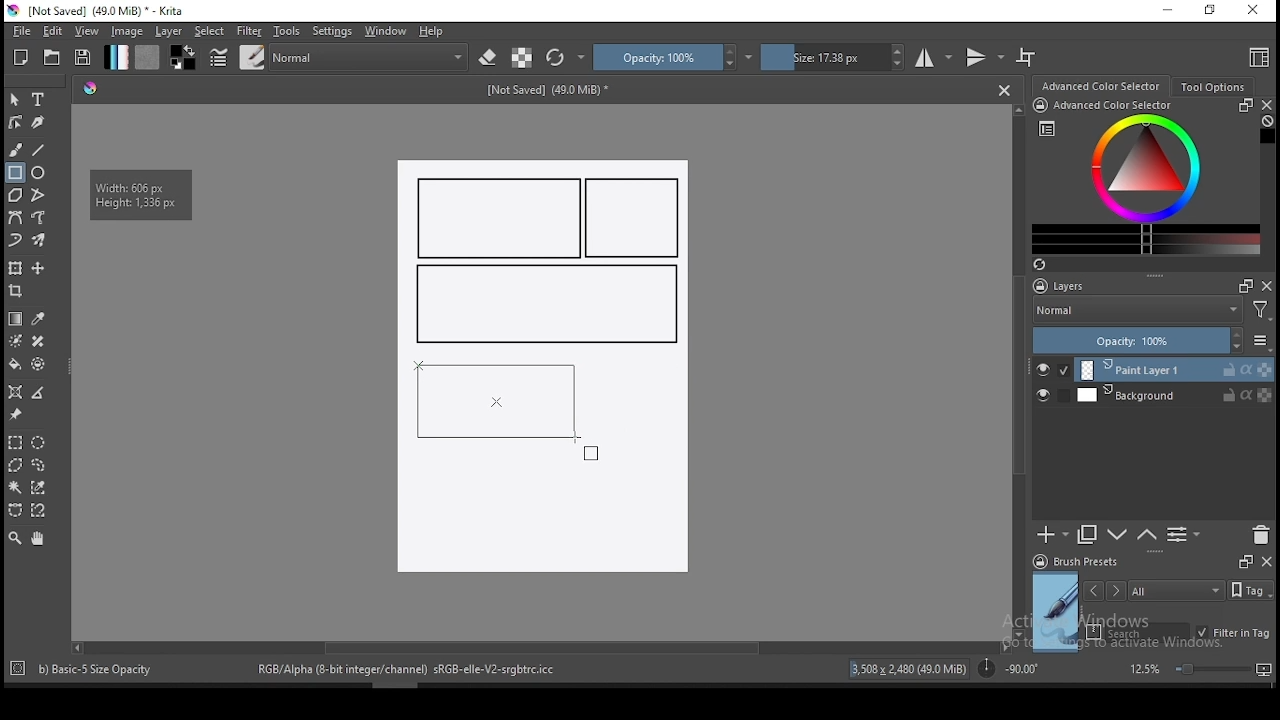  Describe the element at coordinates (86, 31) in the screenshot. I see `view` at that location.